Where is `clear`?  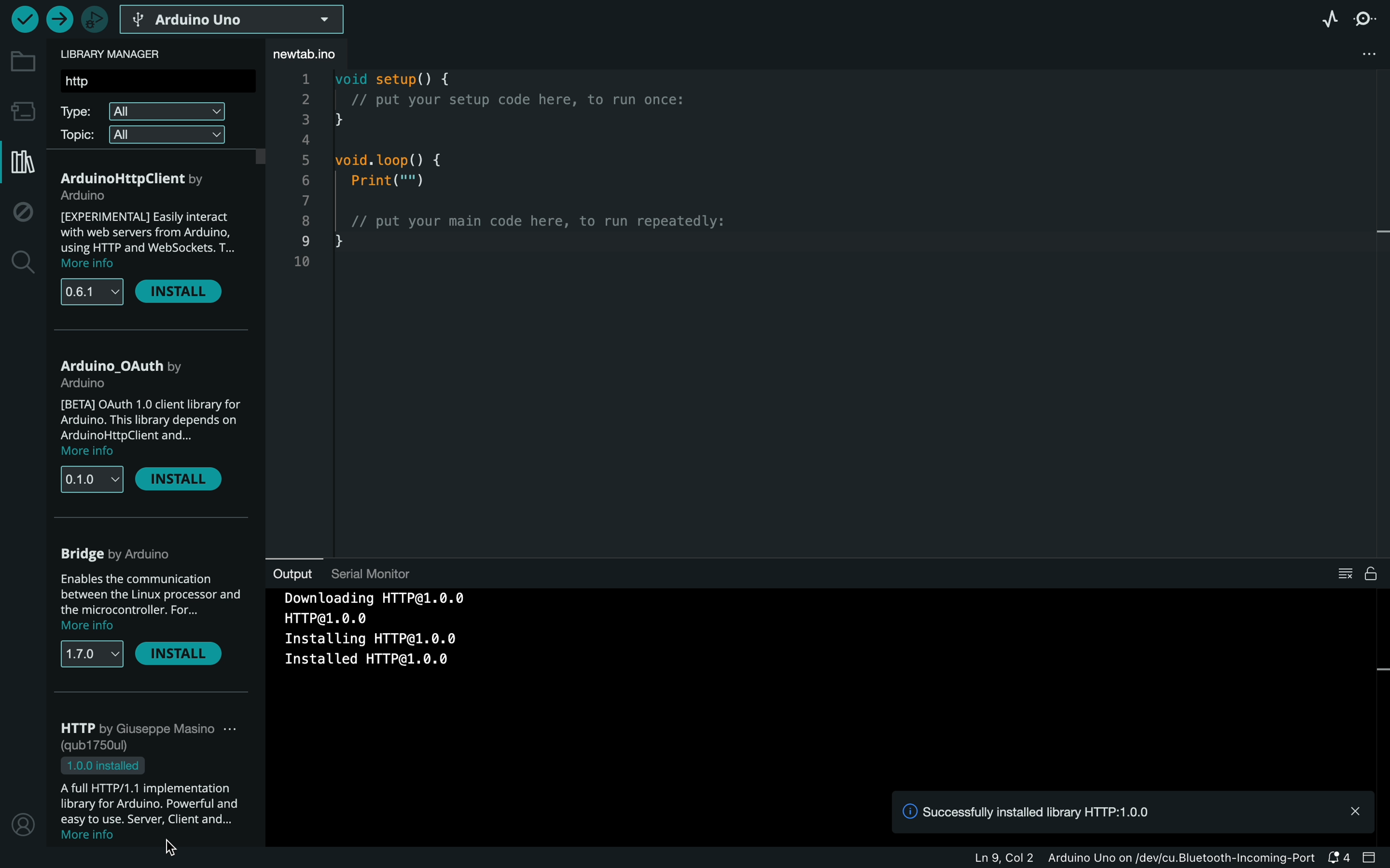 clear is located at coordinates (1352, 571).